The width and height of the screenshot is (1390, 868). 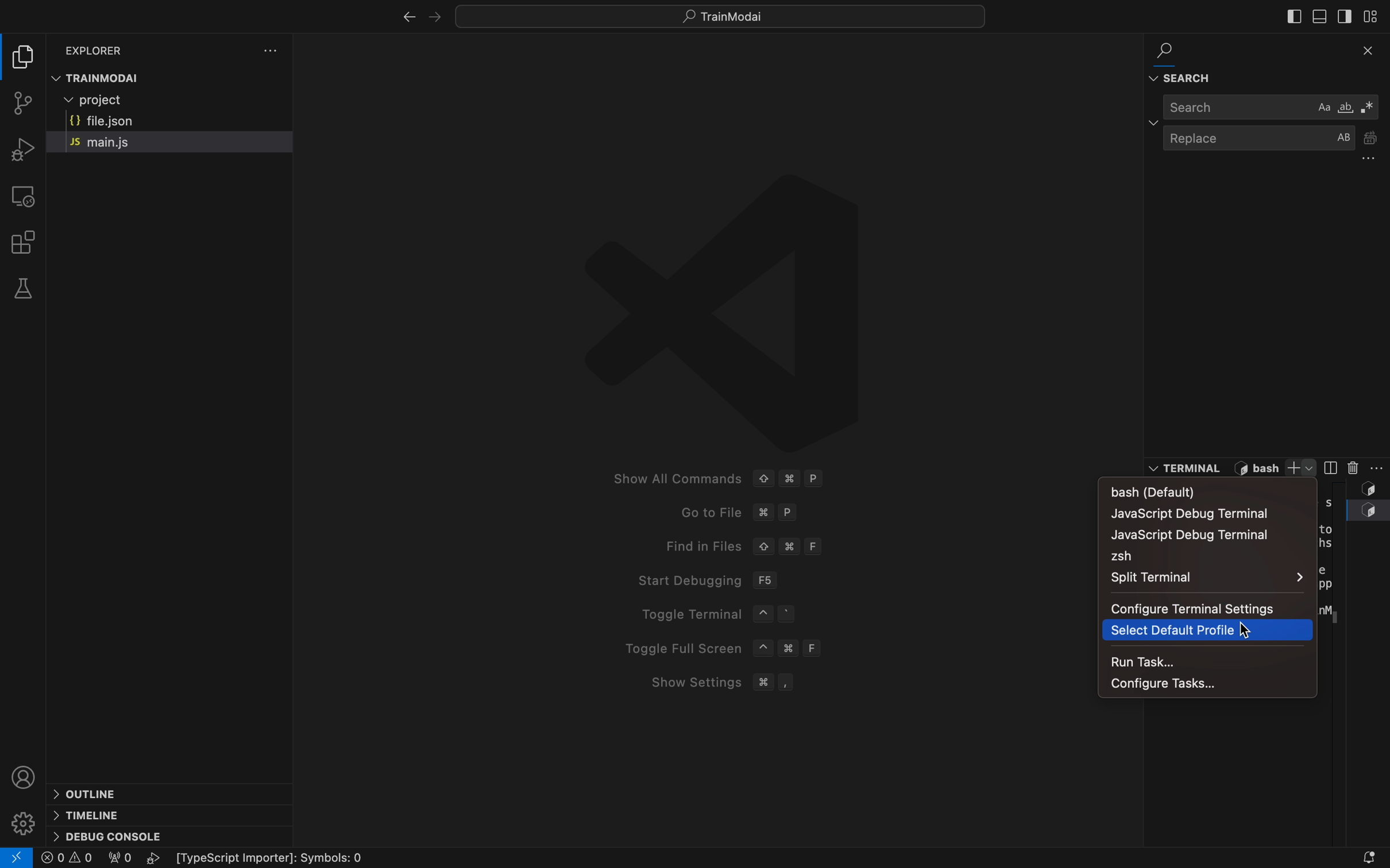 What do you see at coordinates (271, 51) in the screenshot?
I see `settingd` at bounding box center [271, 51].